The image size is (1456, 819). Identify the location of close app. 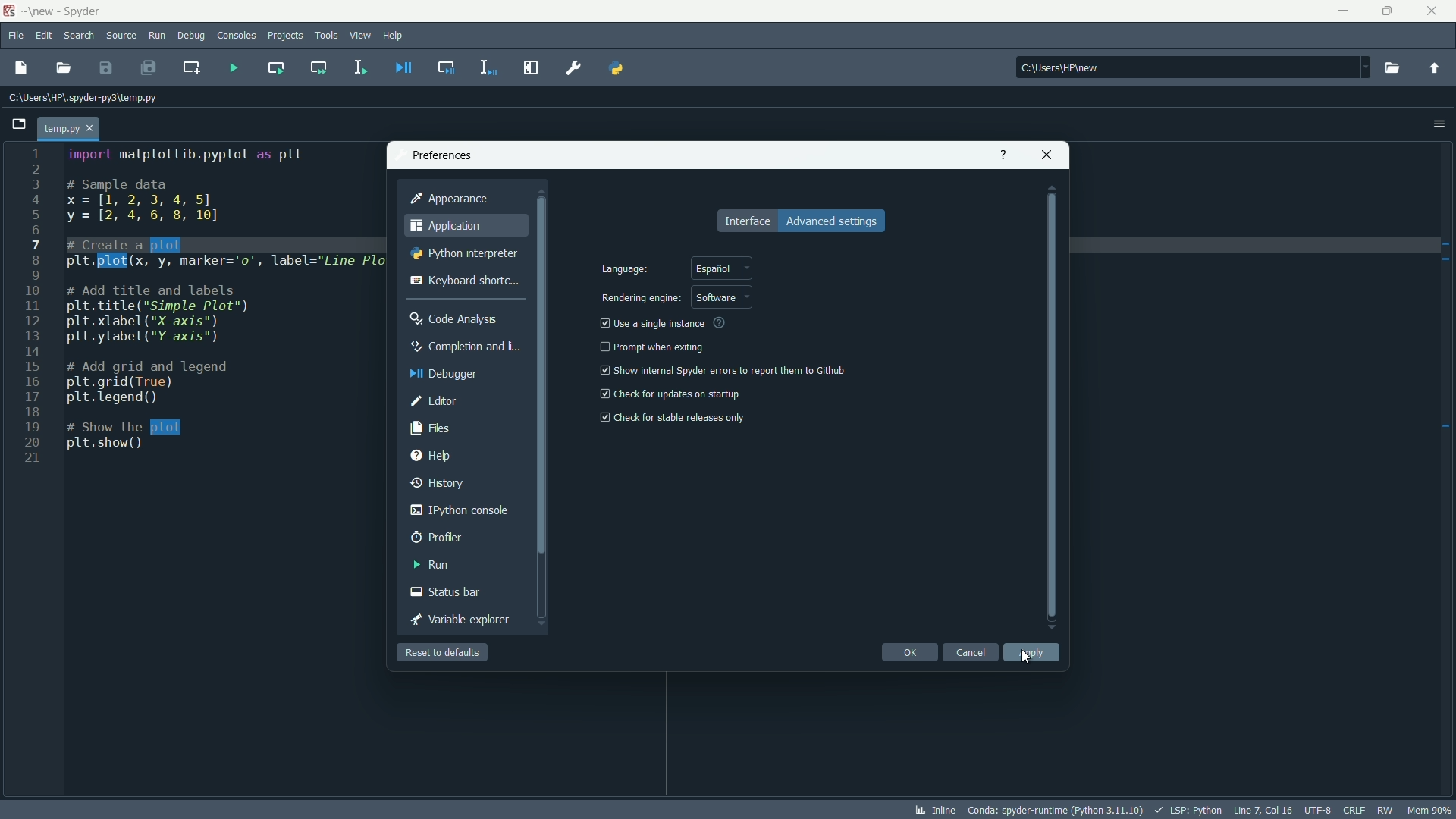
(1048, 155).